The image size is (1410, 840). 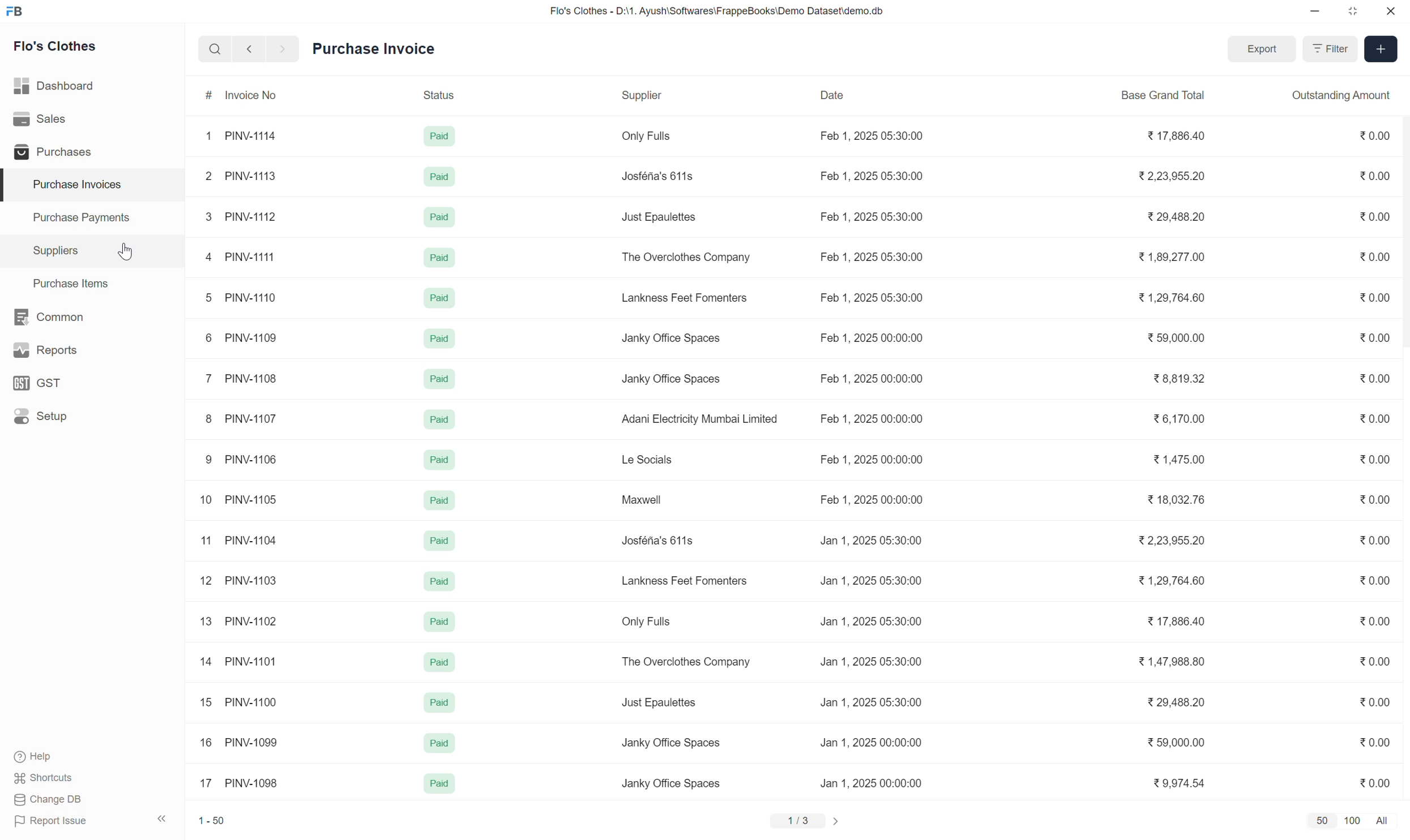 What do you see at coordinates (249, 49) in the screenshot?
I see `Previous` at bounding box center [249, 49].